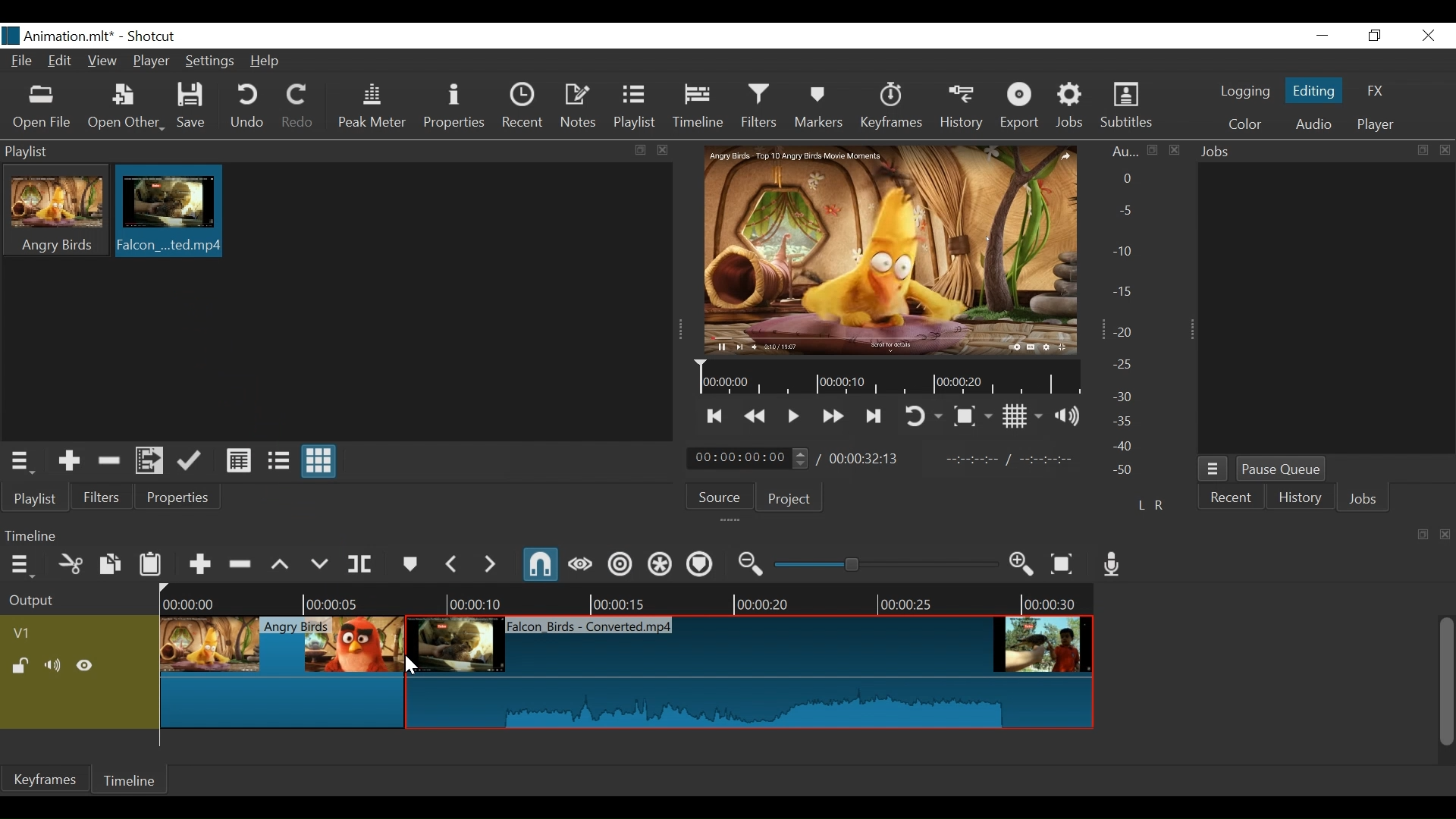 Image resolution: width=1456 pixels, height=819 pixels. What do you see at coordinates (1020, 108) in the screenshot?
I see `Export` at bounding box center [1020, 108].